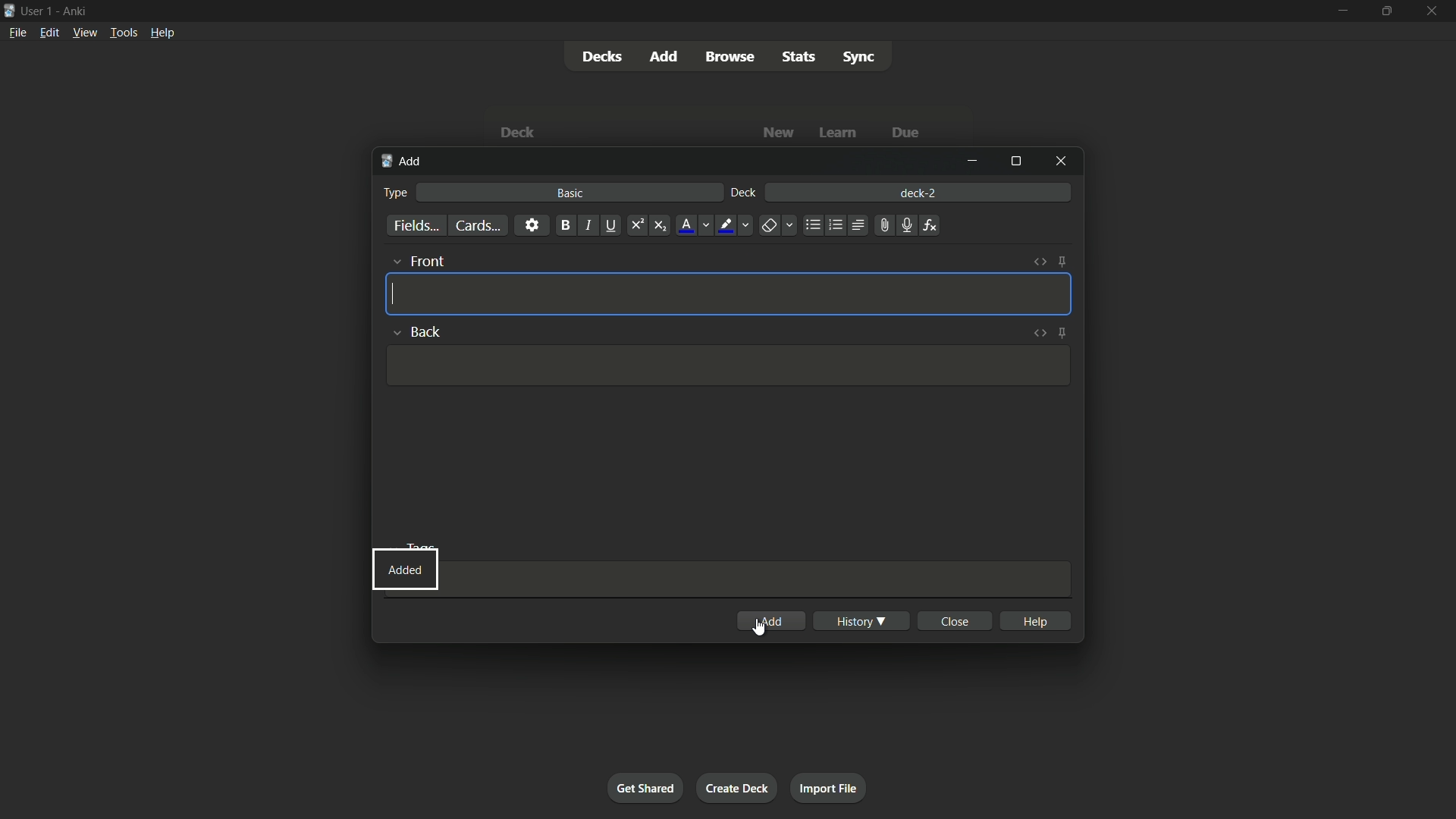  Describe the element at coordinates (812, 226) in the screenshot. I see `unordered list` at that location.